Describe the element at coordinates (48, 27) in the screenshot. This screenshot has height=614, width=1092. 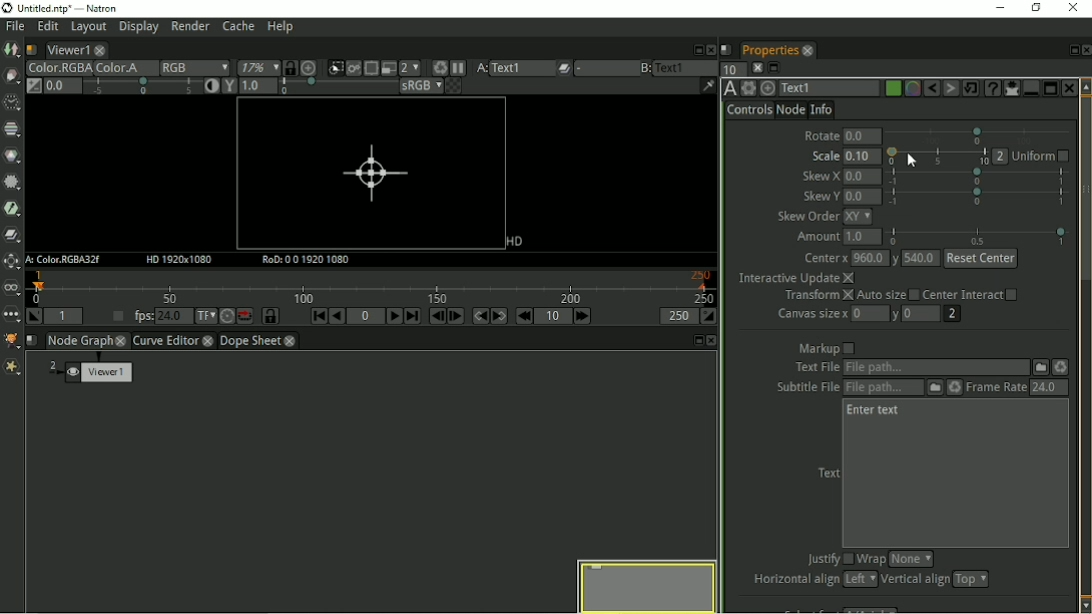
I see `Edit` at that location.